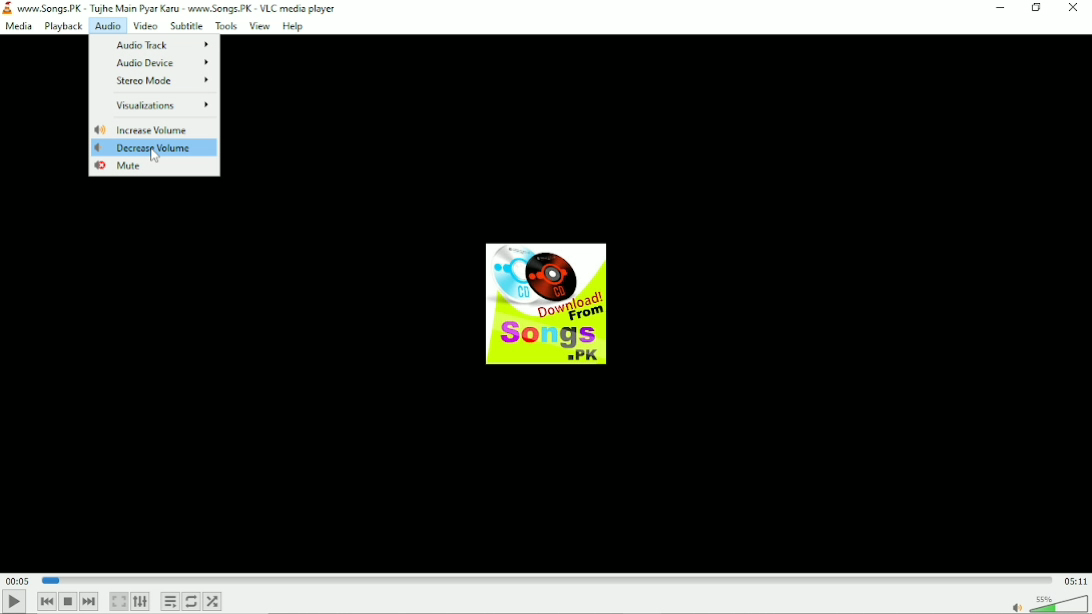 The width and height of the screenshot is (1092, 614). I want to click on Close, so click(1075, 8).